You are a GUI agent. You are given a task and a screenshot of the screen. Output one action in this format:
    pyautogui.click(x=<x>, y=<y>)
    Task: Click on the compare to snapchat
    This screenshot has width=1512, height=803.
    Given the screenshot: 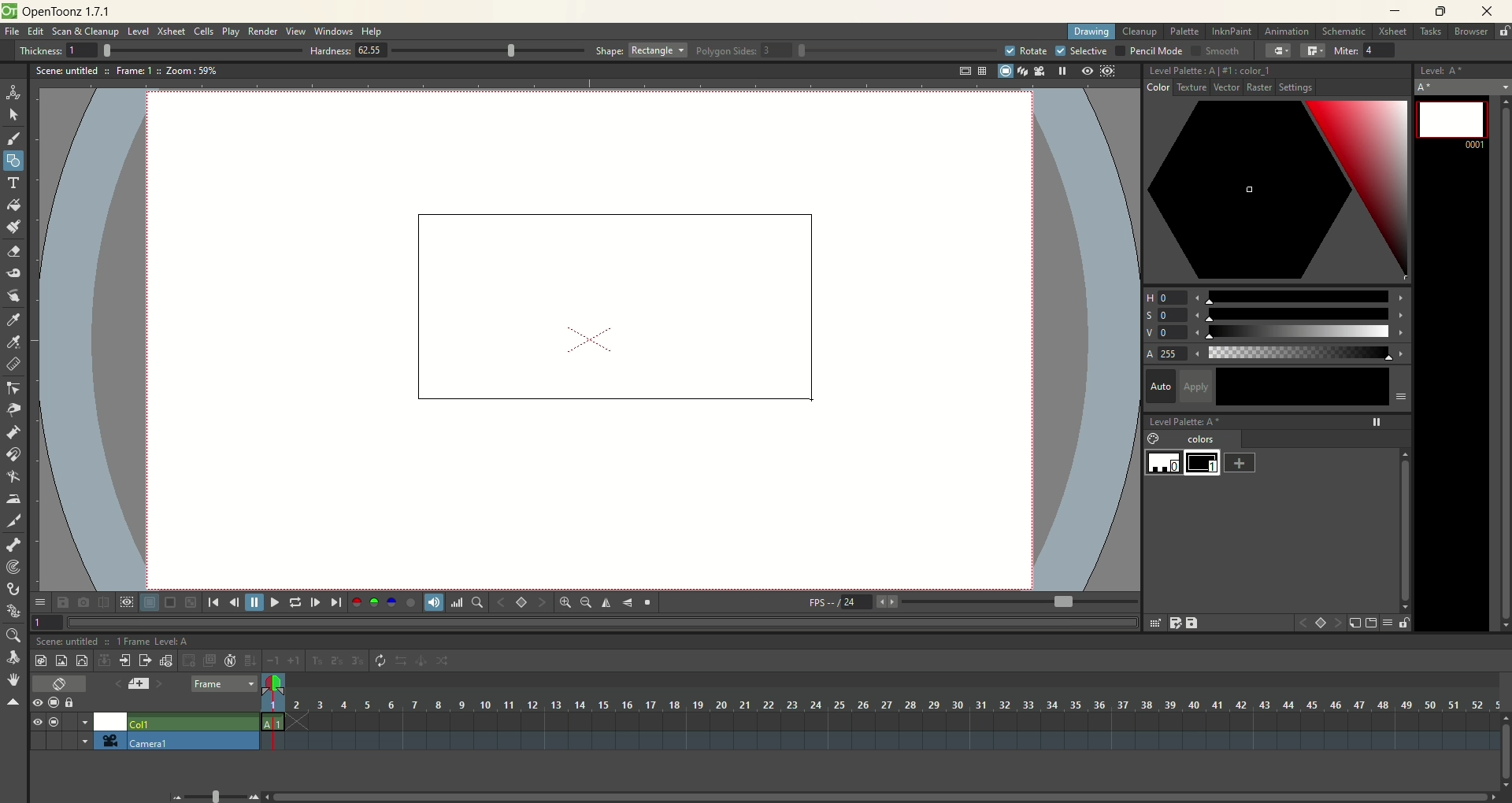 What is the action you would take?
    pyautogui.click(x=102, y=603)
    